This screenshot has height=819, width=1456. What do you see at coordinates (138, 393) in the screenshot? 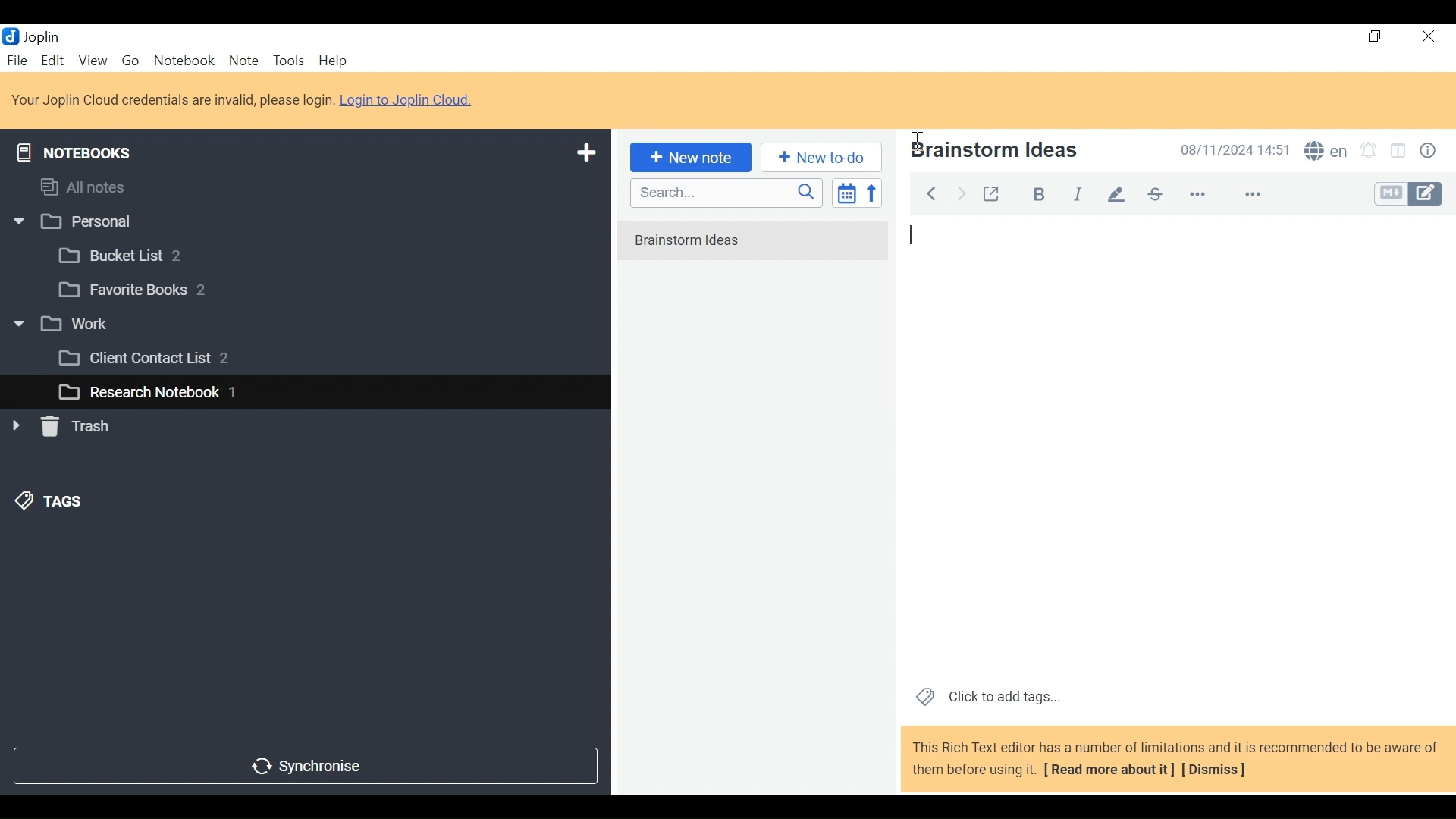
I see `L_] Research Notebook` at bounding box center [138, 393].